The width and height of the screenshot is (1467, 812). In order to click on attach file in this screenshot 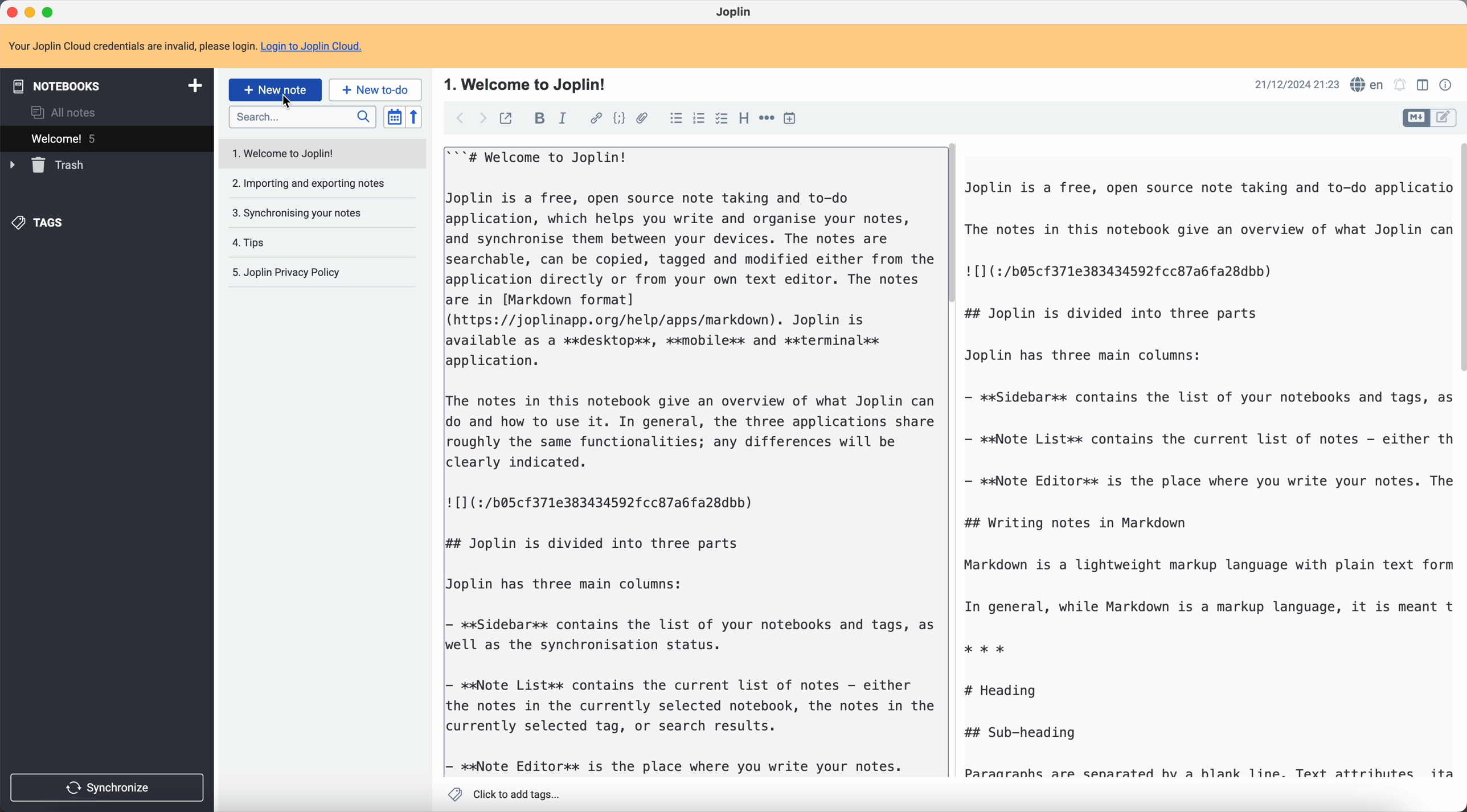, I will do `click(643, 118)`.